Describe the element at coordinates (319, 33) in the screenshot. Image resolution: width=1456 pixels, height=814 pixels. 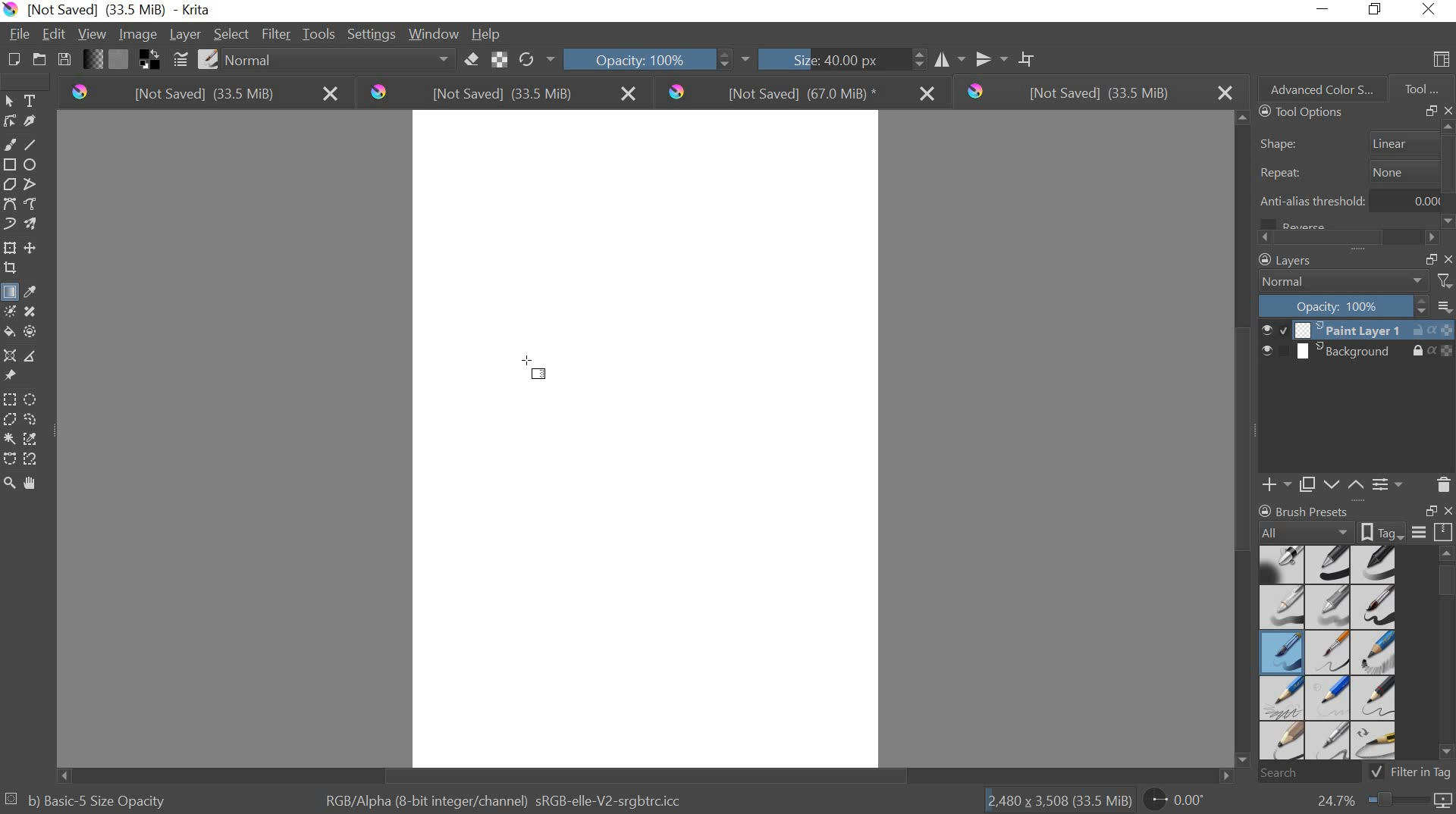
I see `TOOLS` at that location.